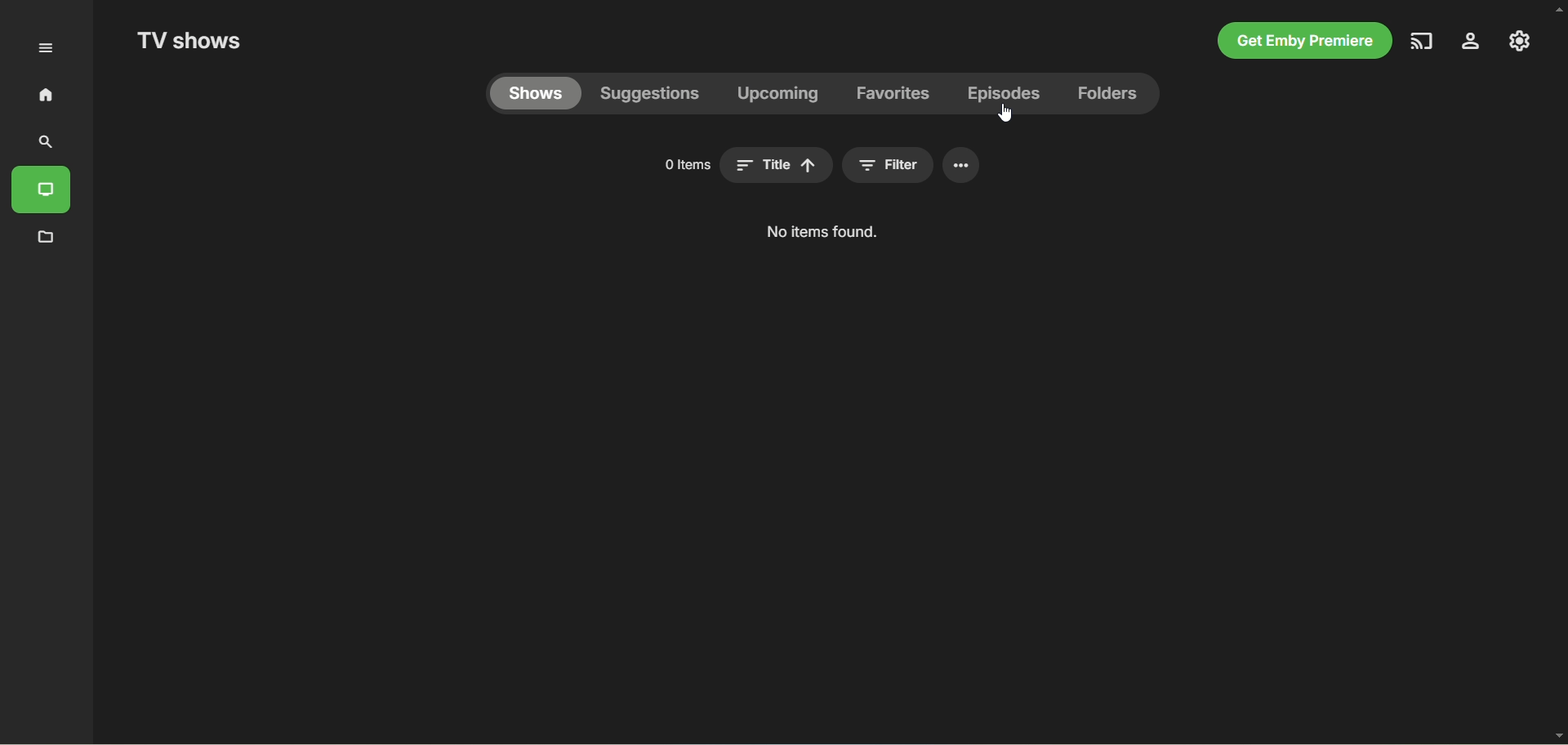 This screenshot has height=745, width=1568. I want to click on cursor, so click(1005, 114).